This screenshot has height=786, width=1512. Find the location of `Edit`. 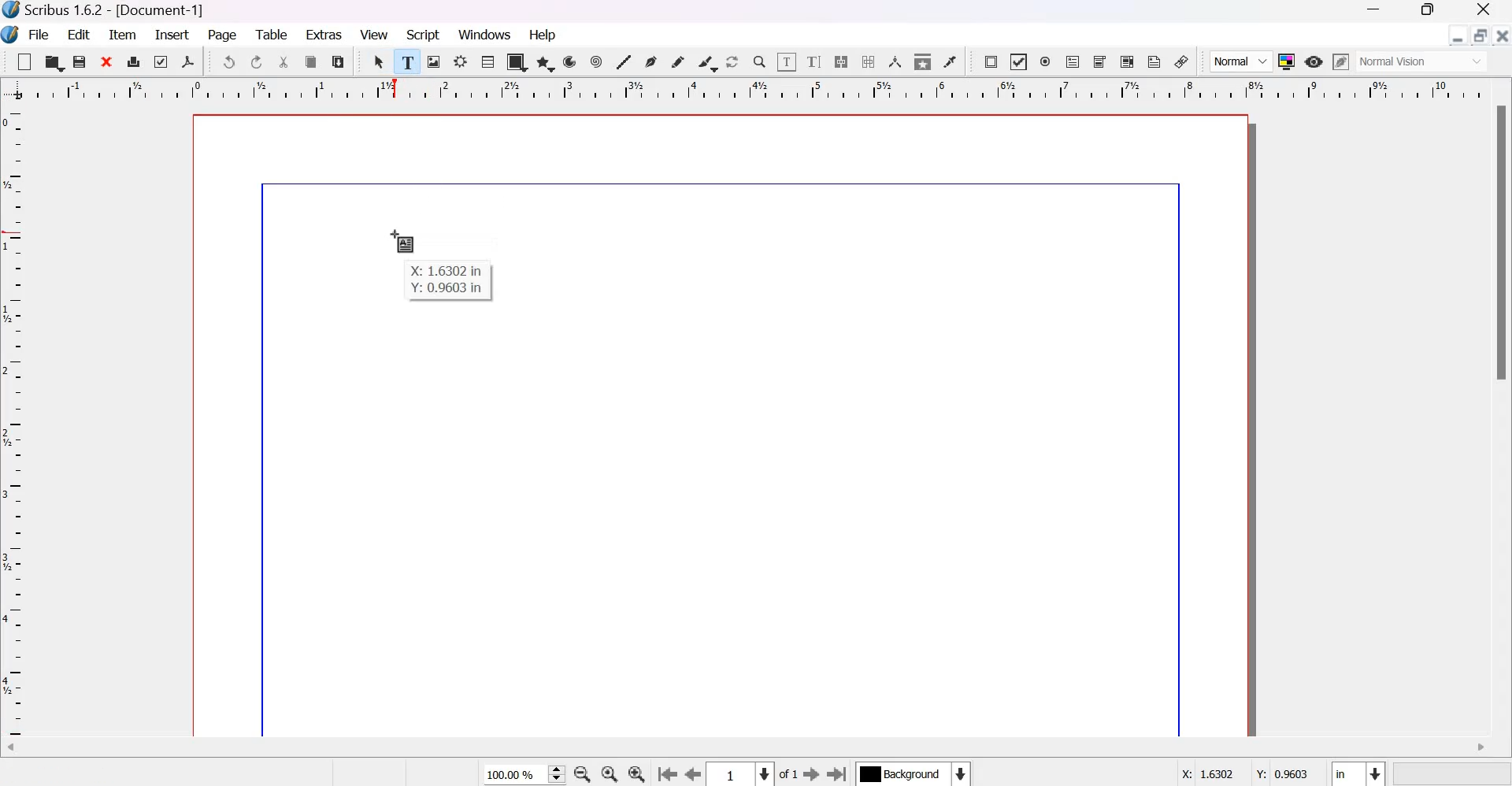

Edit is located at coordinates (80, 34).